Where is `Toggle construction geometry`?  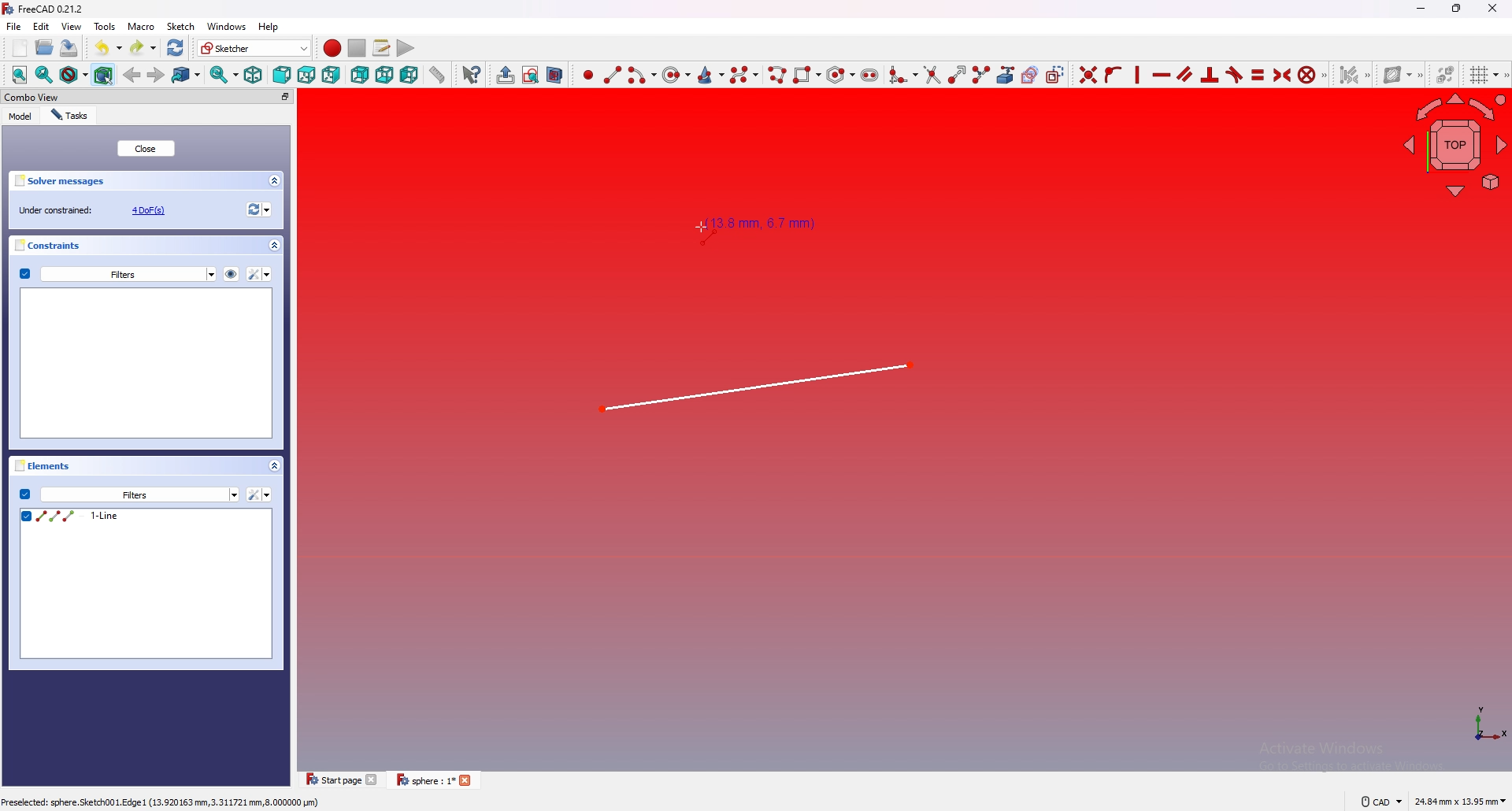 Toggle construction geometry is located at coordinates (1056, 75).